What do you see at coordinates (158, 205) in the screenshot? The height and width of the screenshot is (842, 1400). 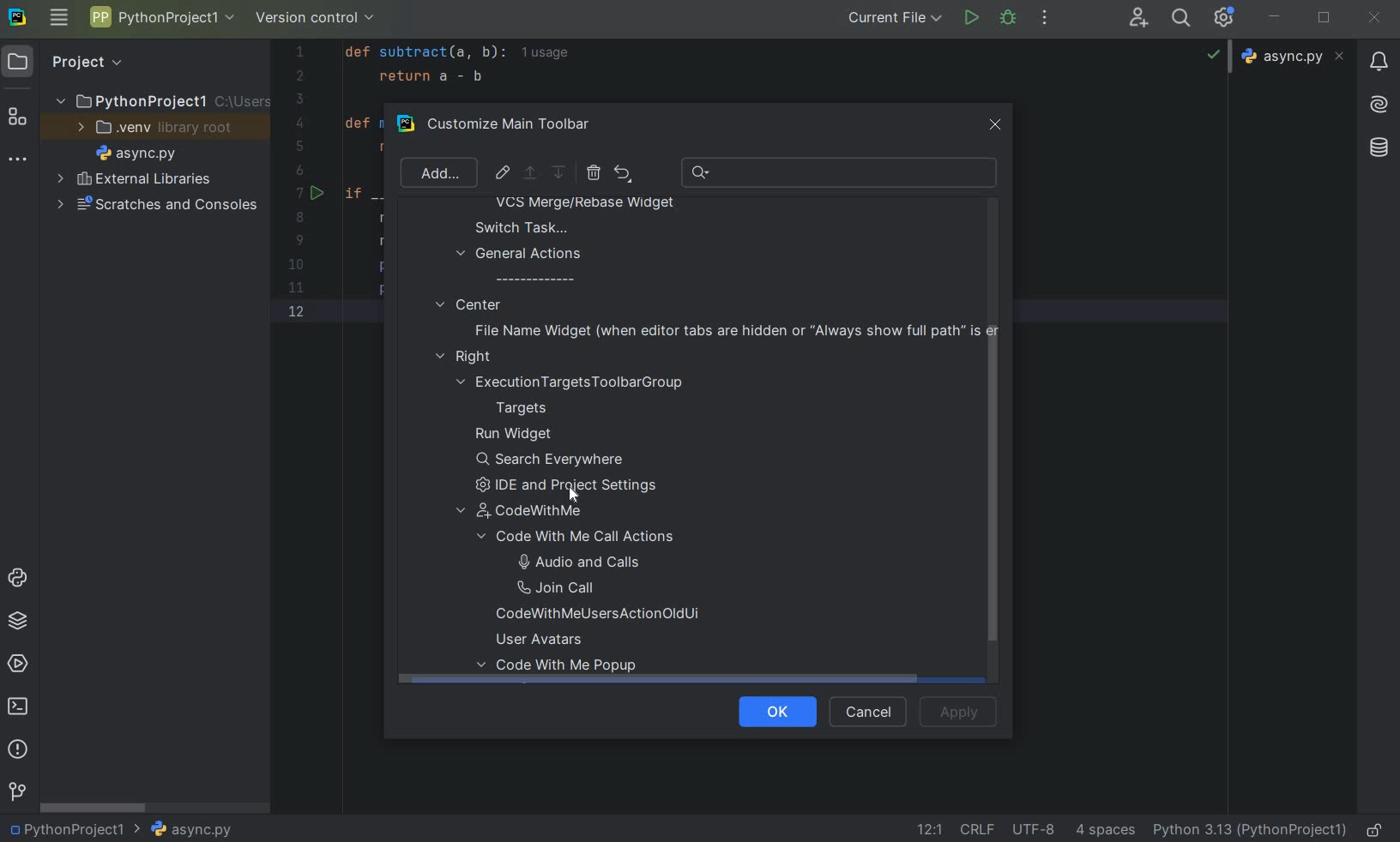 I see `SCRATCHES AND CONSOLES` at bounding box center [158, 205].